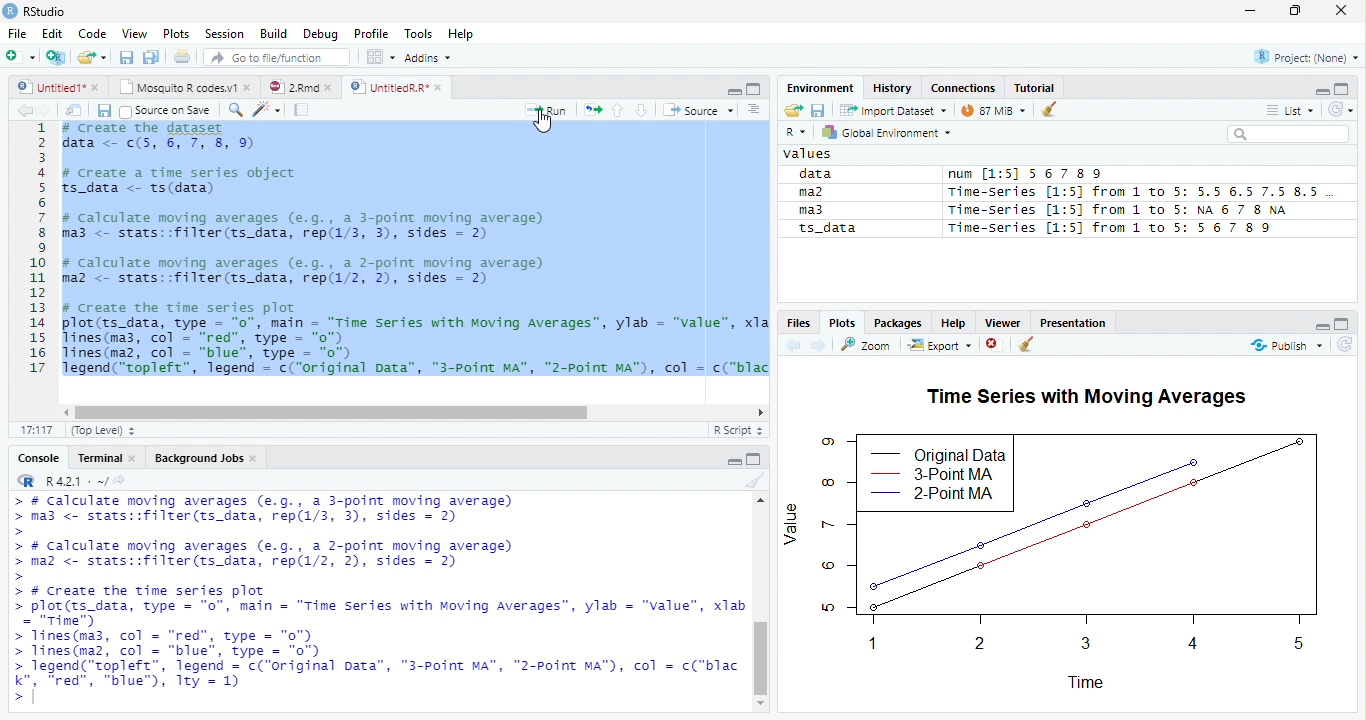 The image size is (1366, 720). I want to click on Connections, so click(962, 88).